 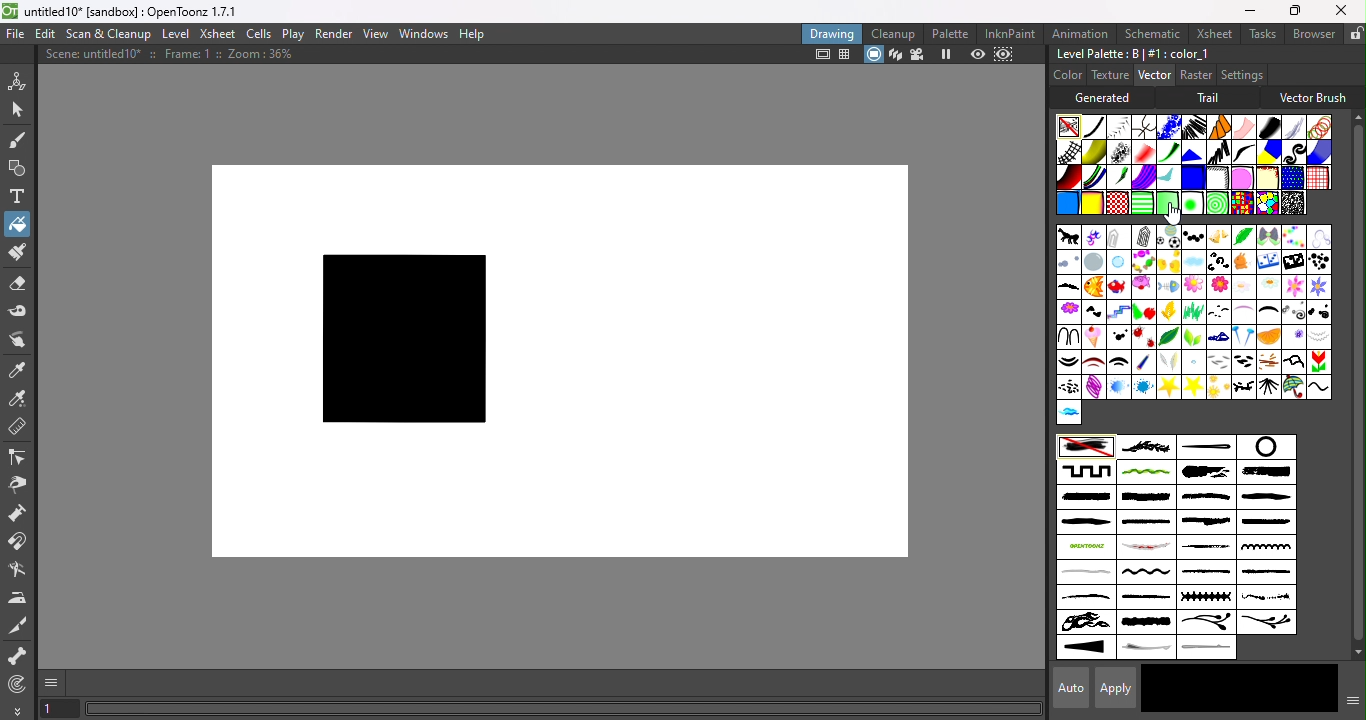 What do you see at coordinates (1269, 151) in the screenshot?
I see `Striped` at bounding box center [1269, 151].